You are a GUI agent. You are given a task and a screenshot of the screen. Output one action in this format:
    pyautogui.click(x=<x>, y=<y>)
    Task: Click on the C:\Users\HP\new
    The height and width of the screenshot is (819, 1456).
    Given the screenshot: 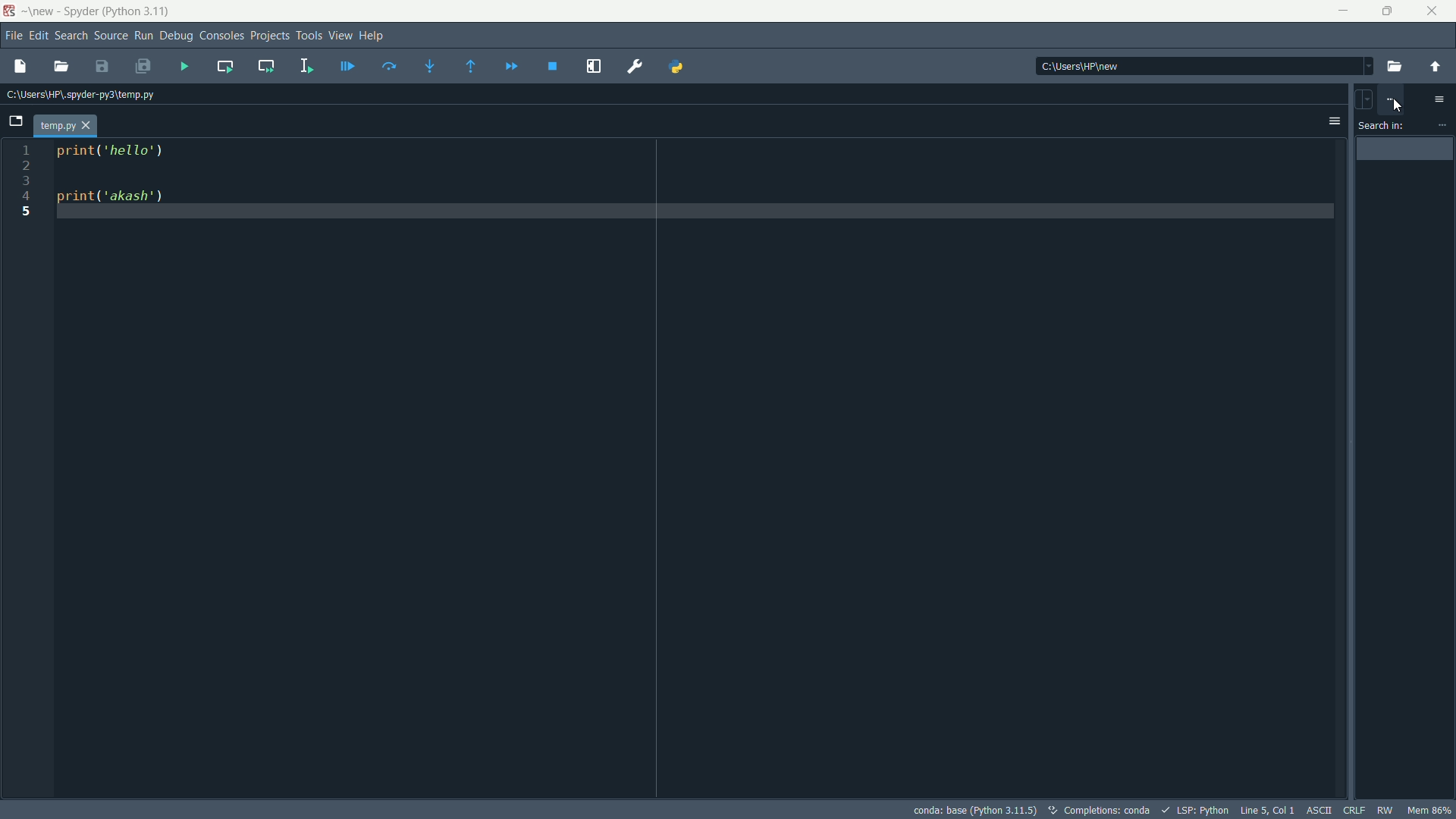 What is the action you would take?
    pyautogui.click(x=1199, y=64)
    